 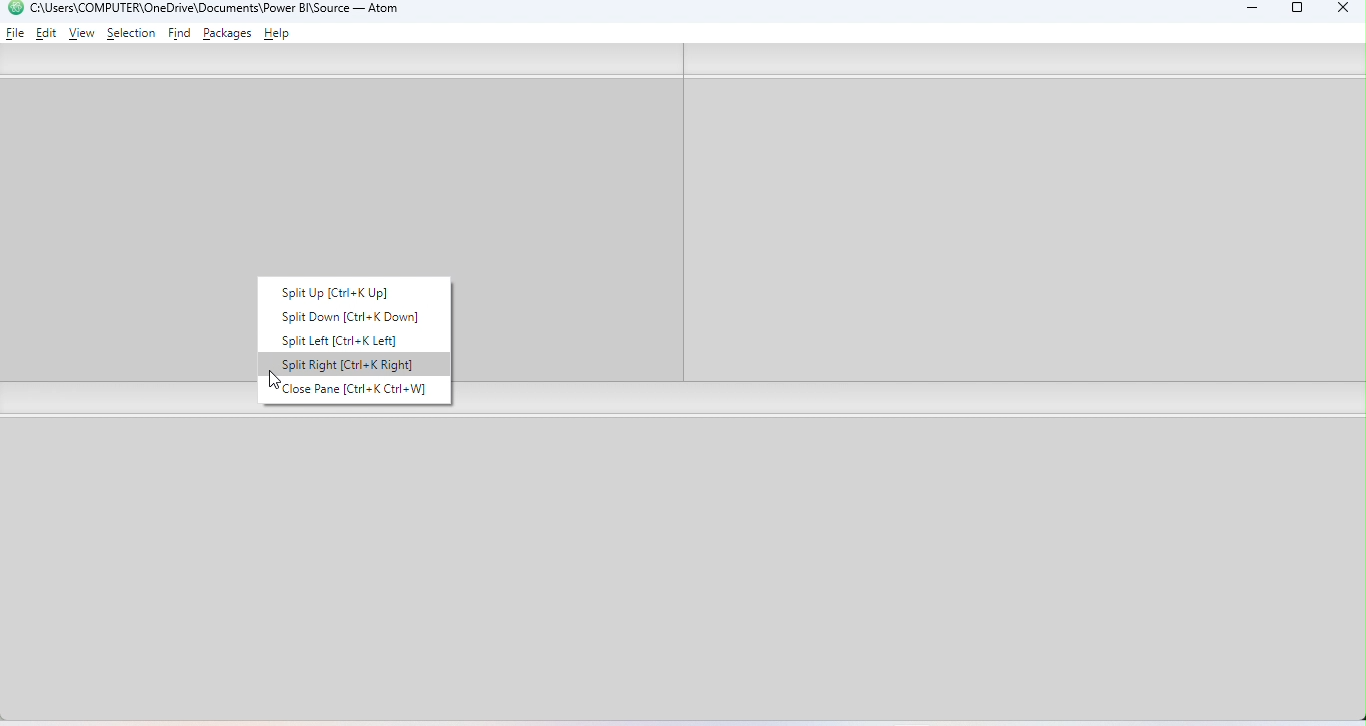 I want to click on Split Up [Ctri+K Up], so click(x=352, y=291).